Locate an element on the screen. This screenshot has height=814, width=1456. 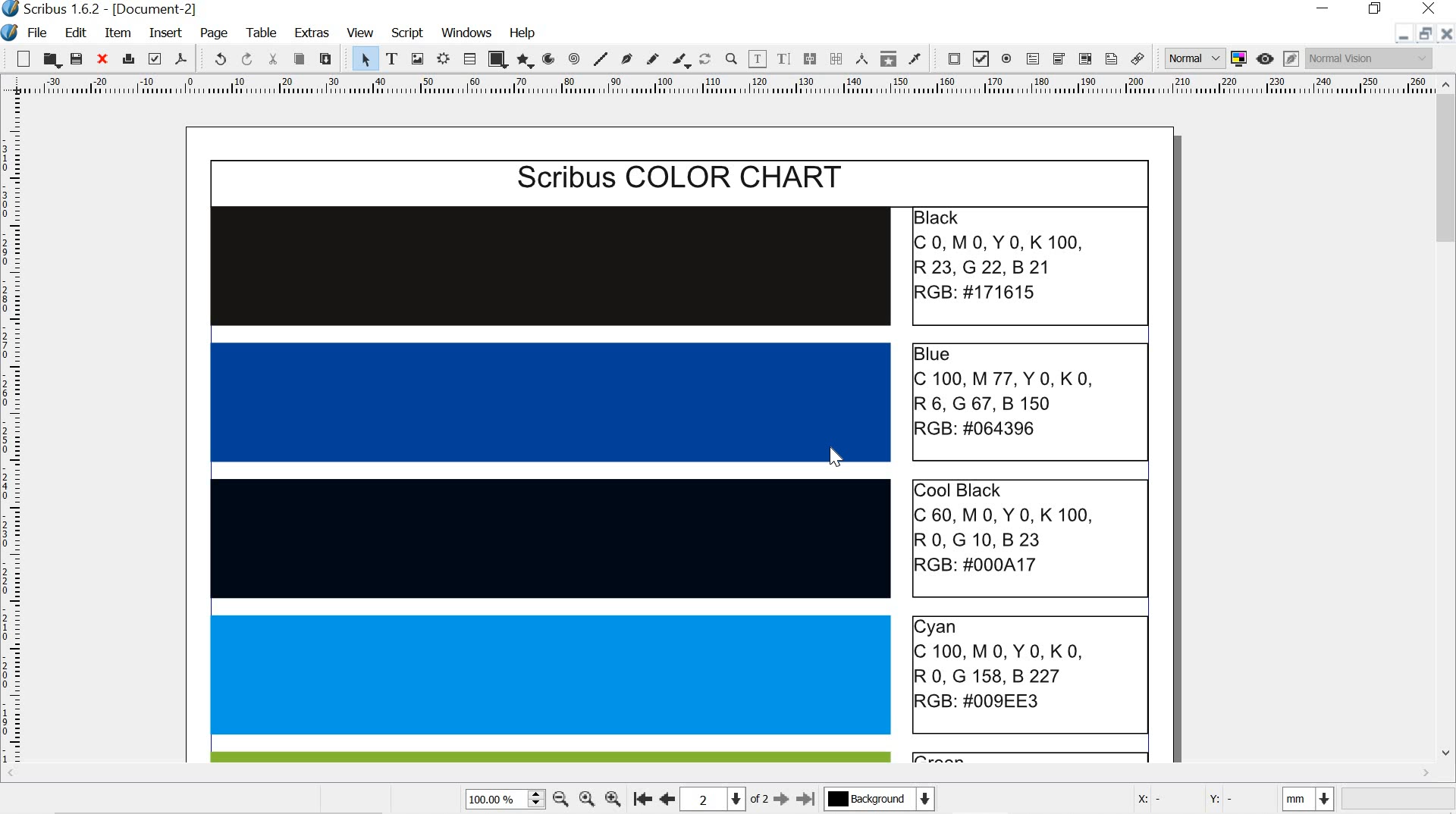
Black C0,M0,Y0,K100, R23,G22 B21 RGB: #171615 is located at coordinates (1030, 266).